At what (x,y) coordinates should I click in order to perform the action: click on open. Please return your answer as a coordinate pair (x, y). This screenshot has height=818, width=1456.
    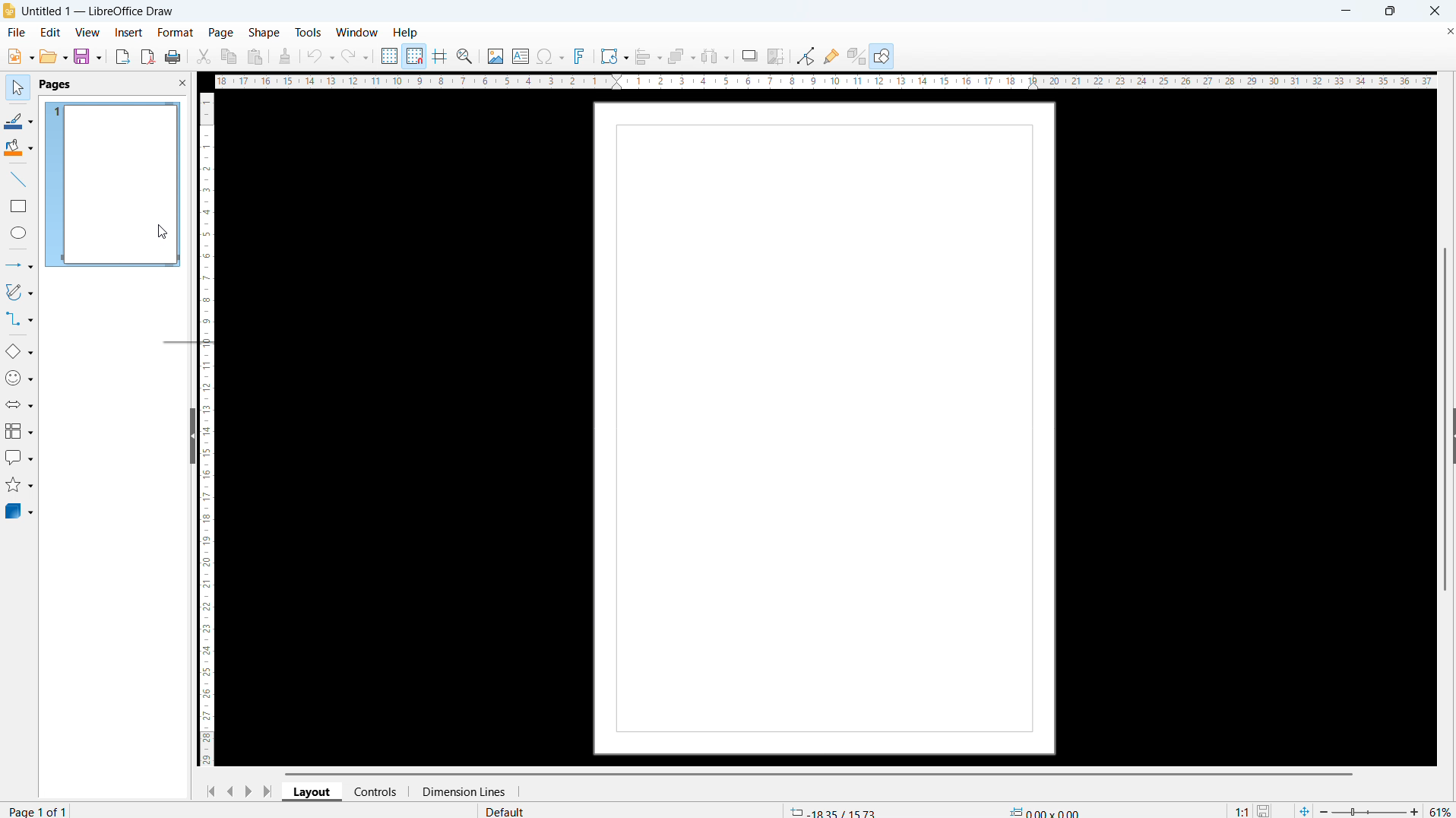
    Looking at the image, I should click on (54, 57).